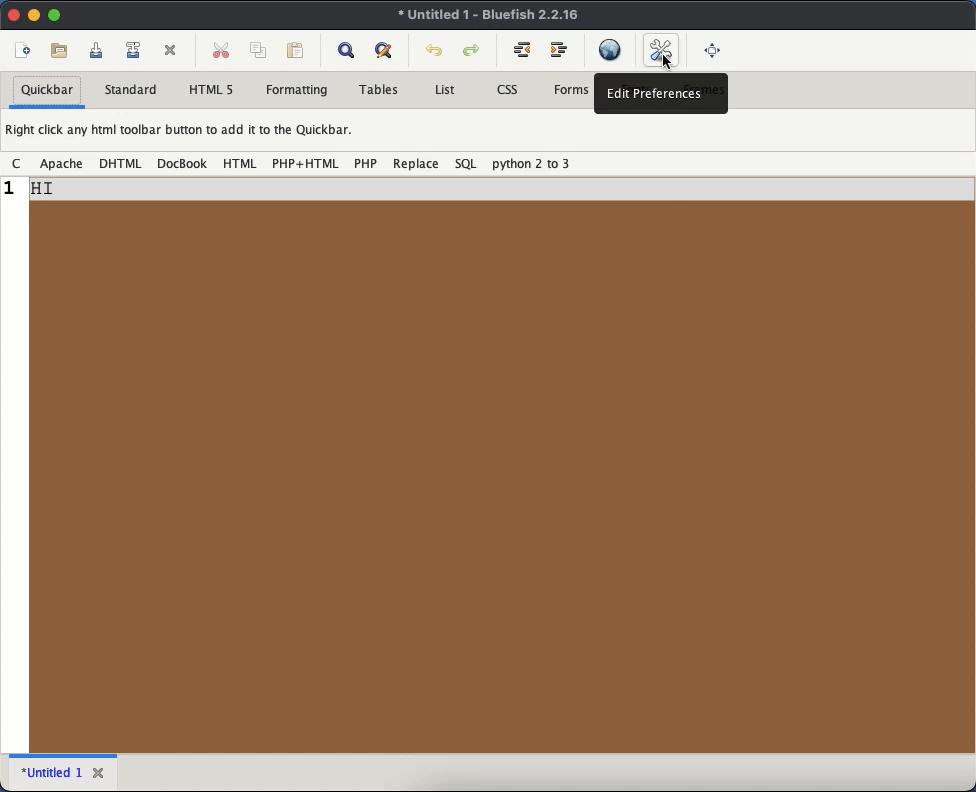  I want to click on paste, so click(297, 49).